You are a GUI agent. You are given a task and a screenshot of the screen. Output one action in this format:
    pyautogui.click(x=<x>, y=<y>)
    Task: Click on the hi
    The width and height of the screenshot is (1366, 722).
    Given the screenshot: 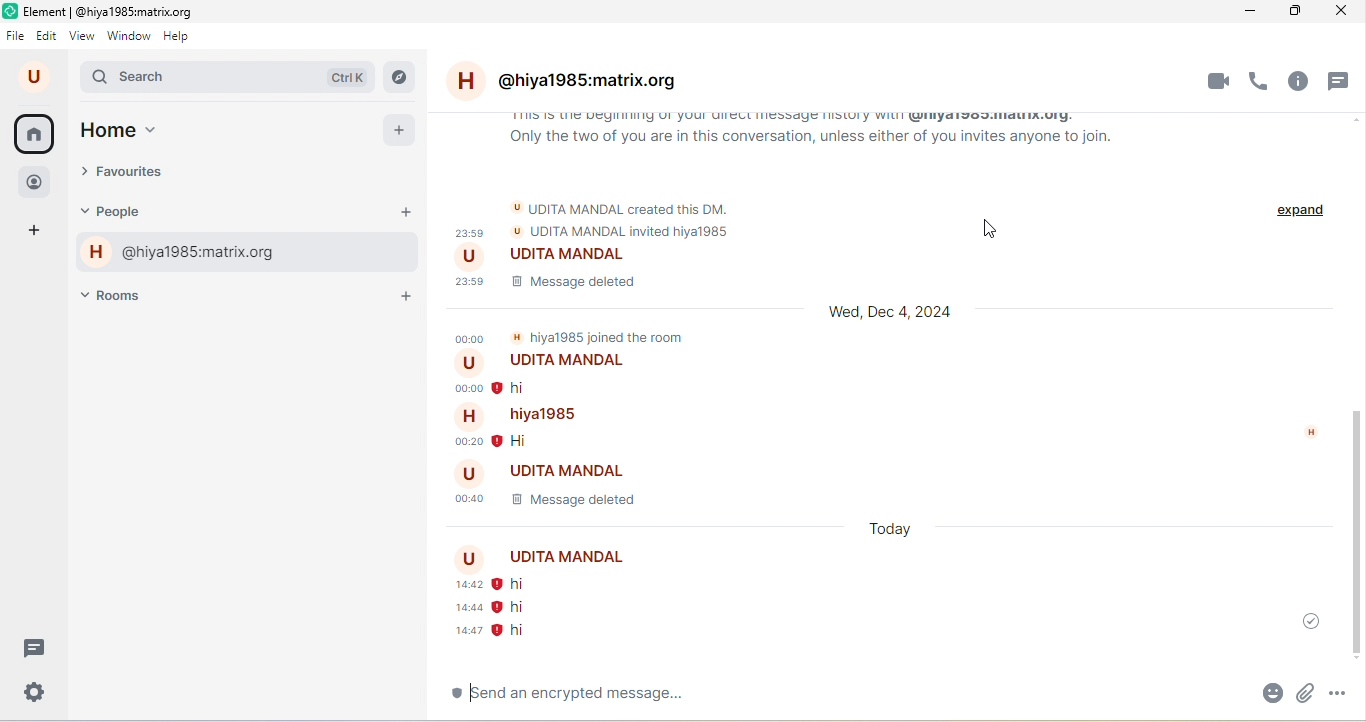 What is the action you would take?
    pyautogui.click(x=528, y=387)
    